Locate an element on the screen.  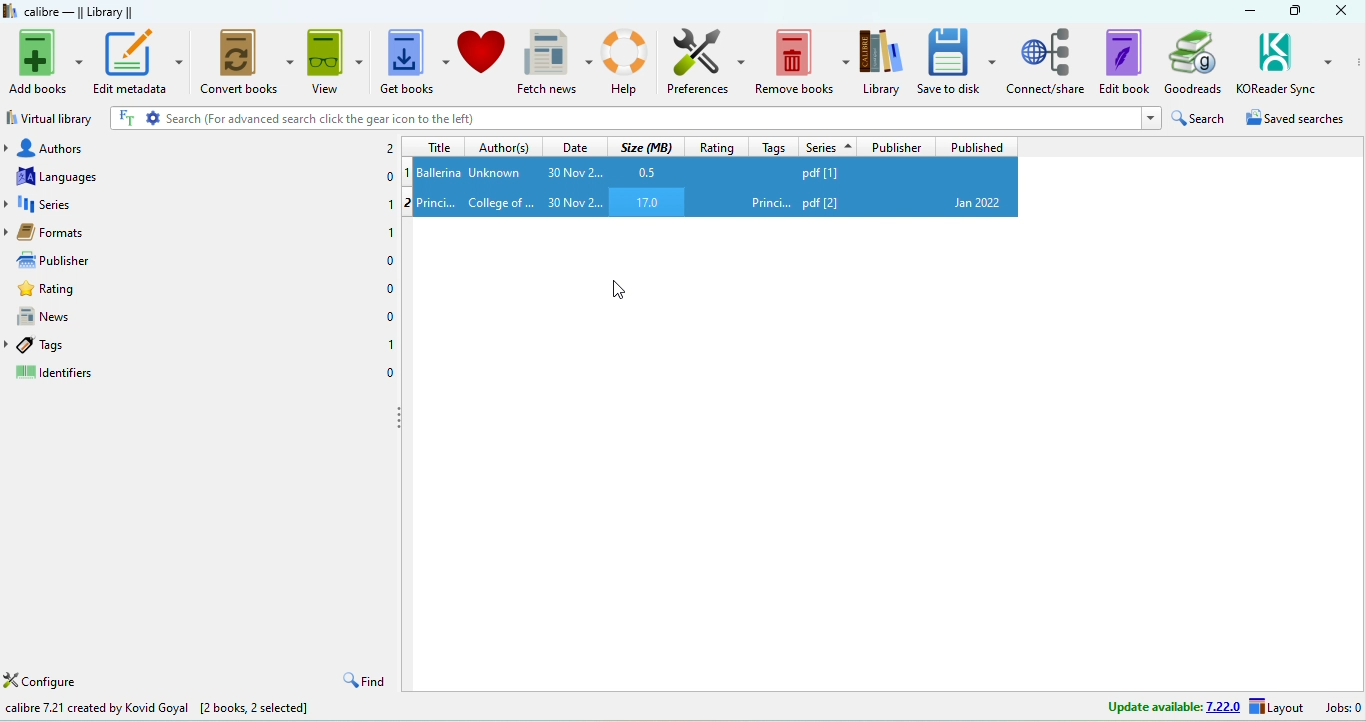
size is located at coordinates (648, 147).